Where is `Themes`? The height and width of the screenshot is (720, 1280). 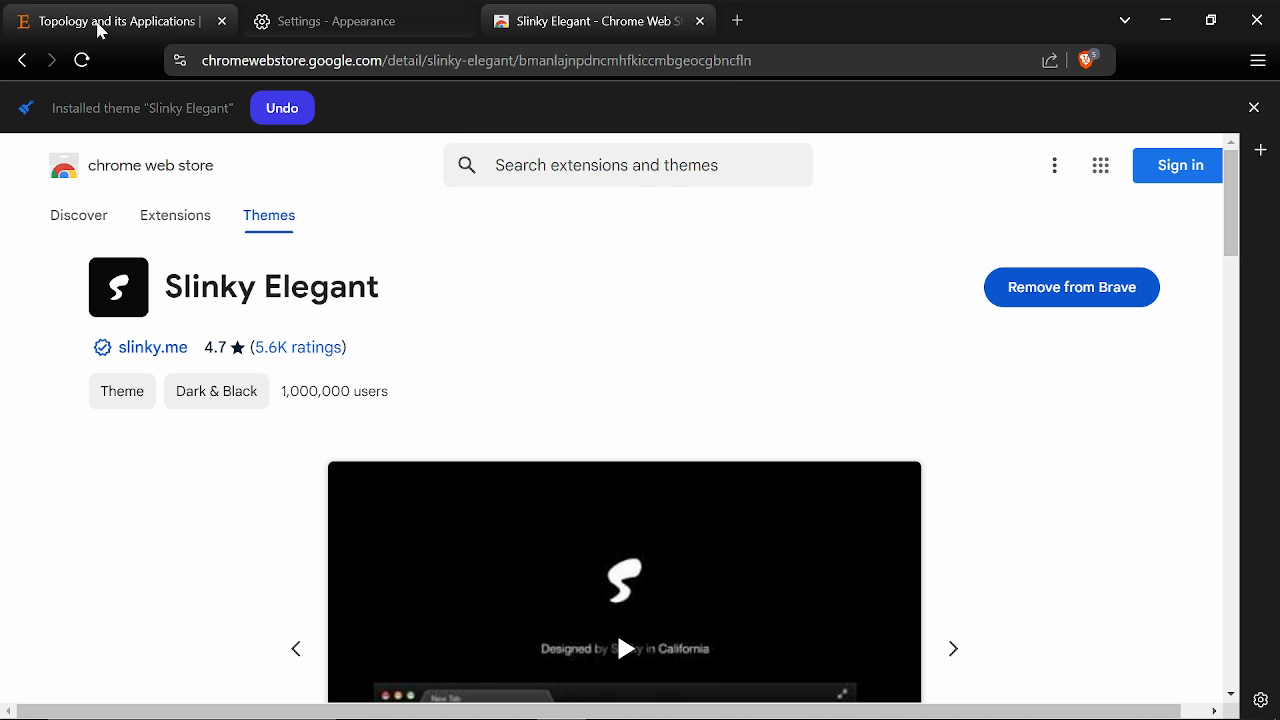 Themes is located at coordinates (273, 219).